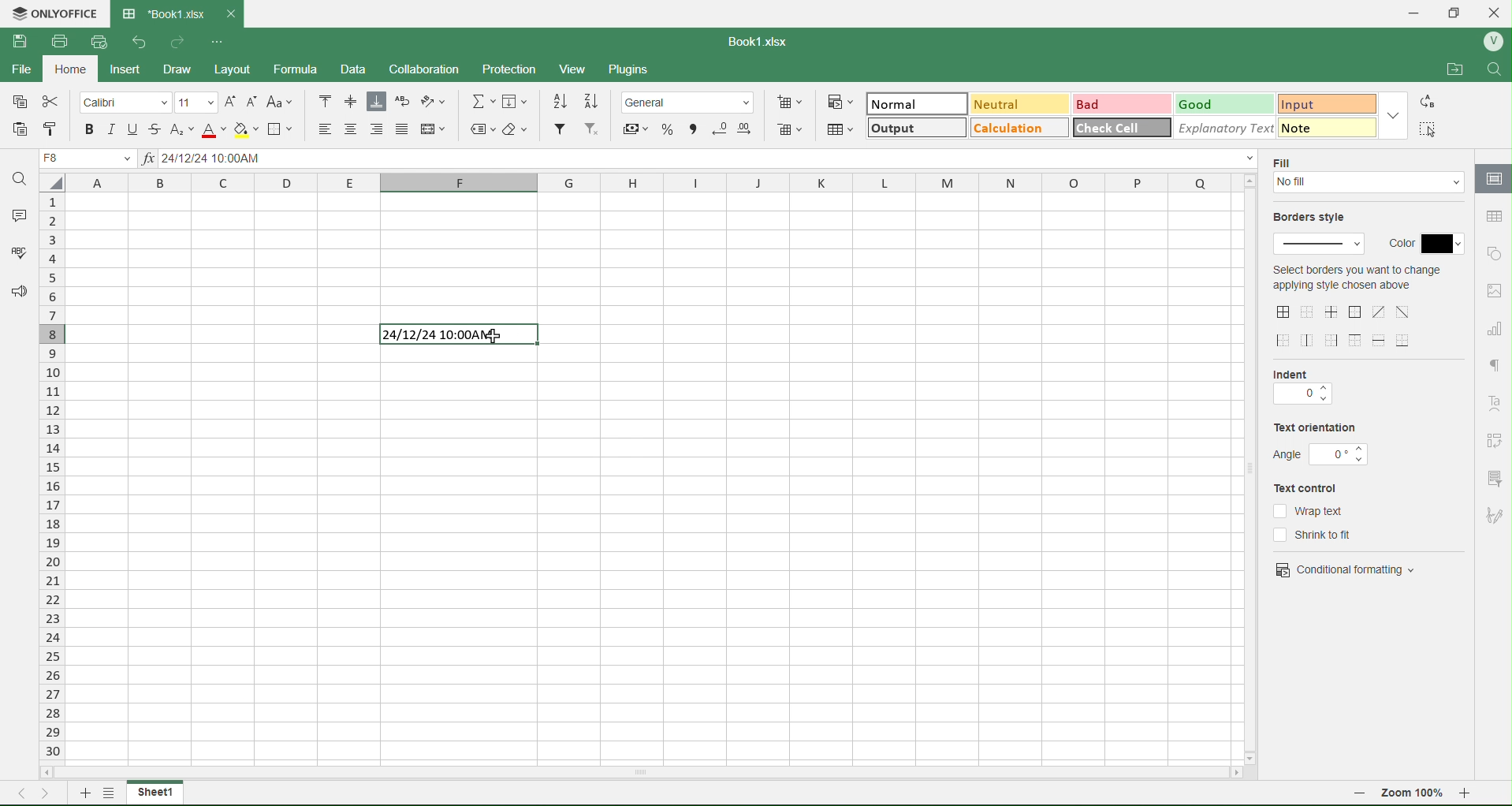 Image resolution: width=1512 pixels, height=806 pixels. Describe the element at coordinates (1396, 114) in the screenshot. I see `Formatting Box` at that location.